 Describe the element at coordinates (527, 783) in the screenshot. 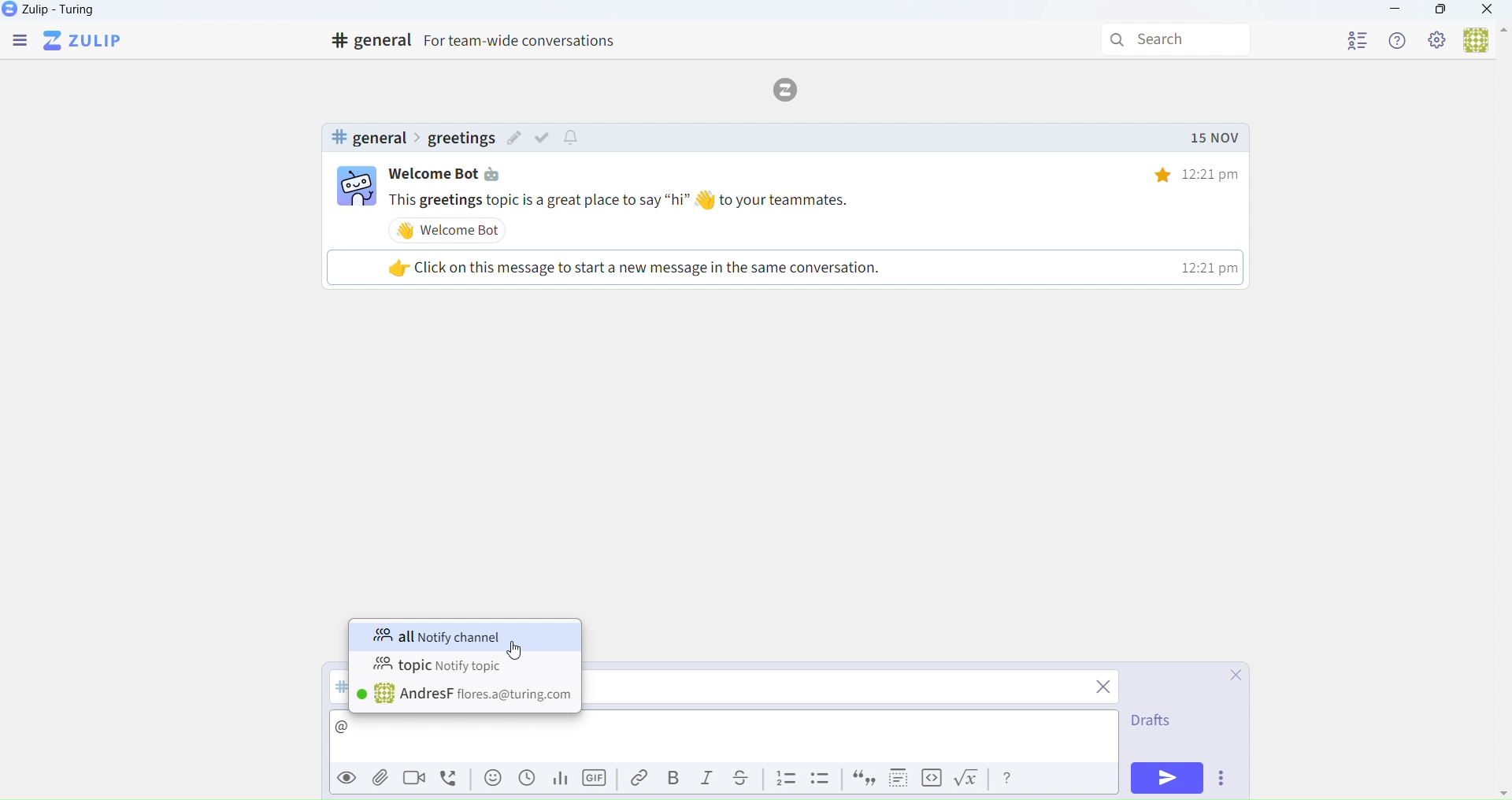

I see `schedule` at that location.